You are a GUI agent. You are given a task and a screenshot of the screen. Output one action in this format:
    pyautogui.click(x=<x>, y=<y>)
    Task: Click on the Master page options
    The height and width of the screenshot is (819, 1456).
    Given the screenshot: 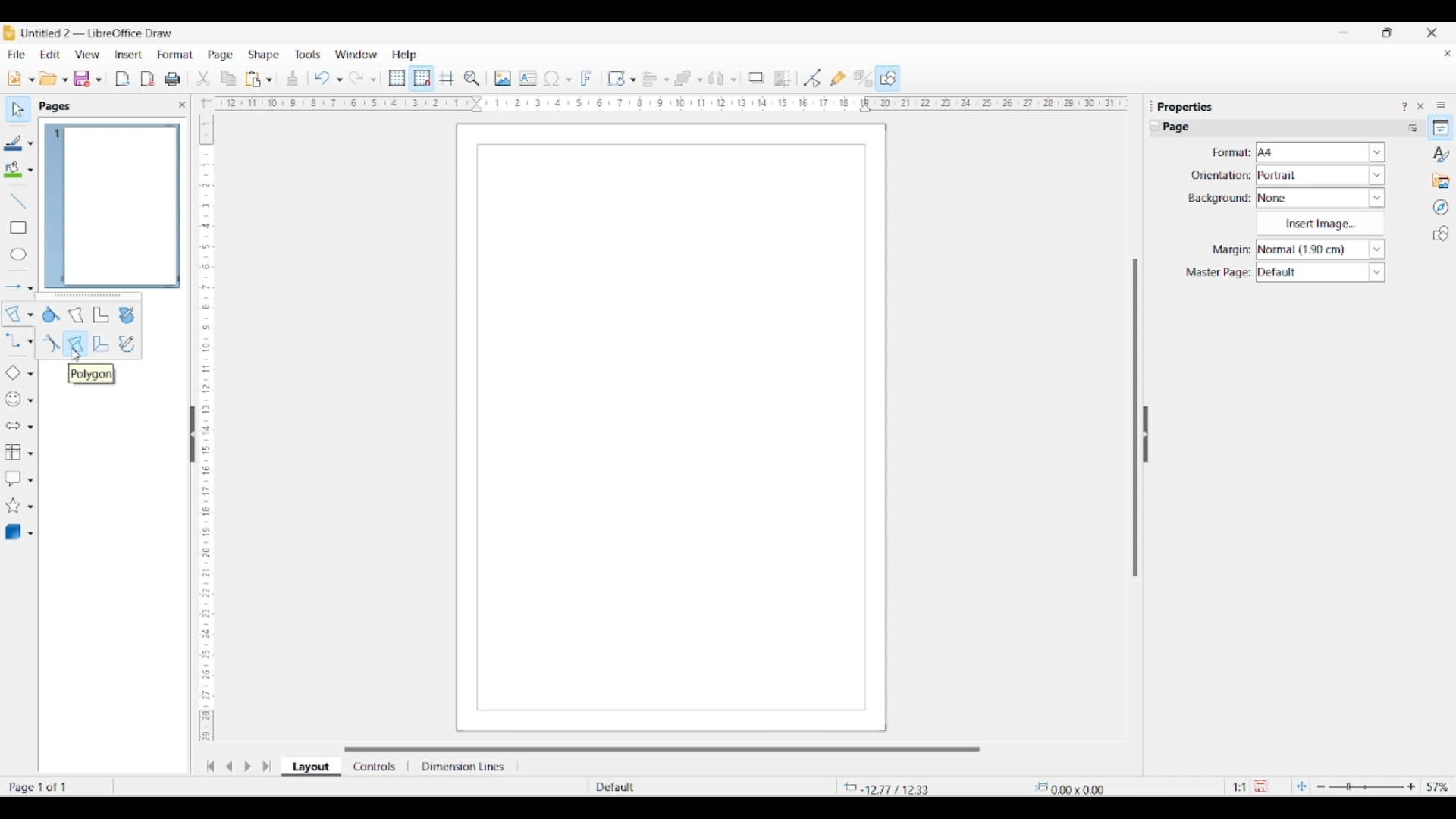 What is the action you would take?
    pyautogui.click(x=1320, y=272)
    